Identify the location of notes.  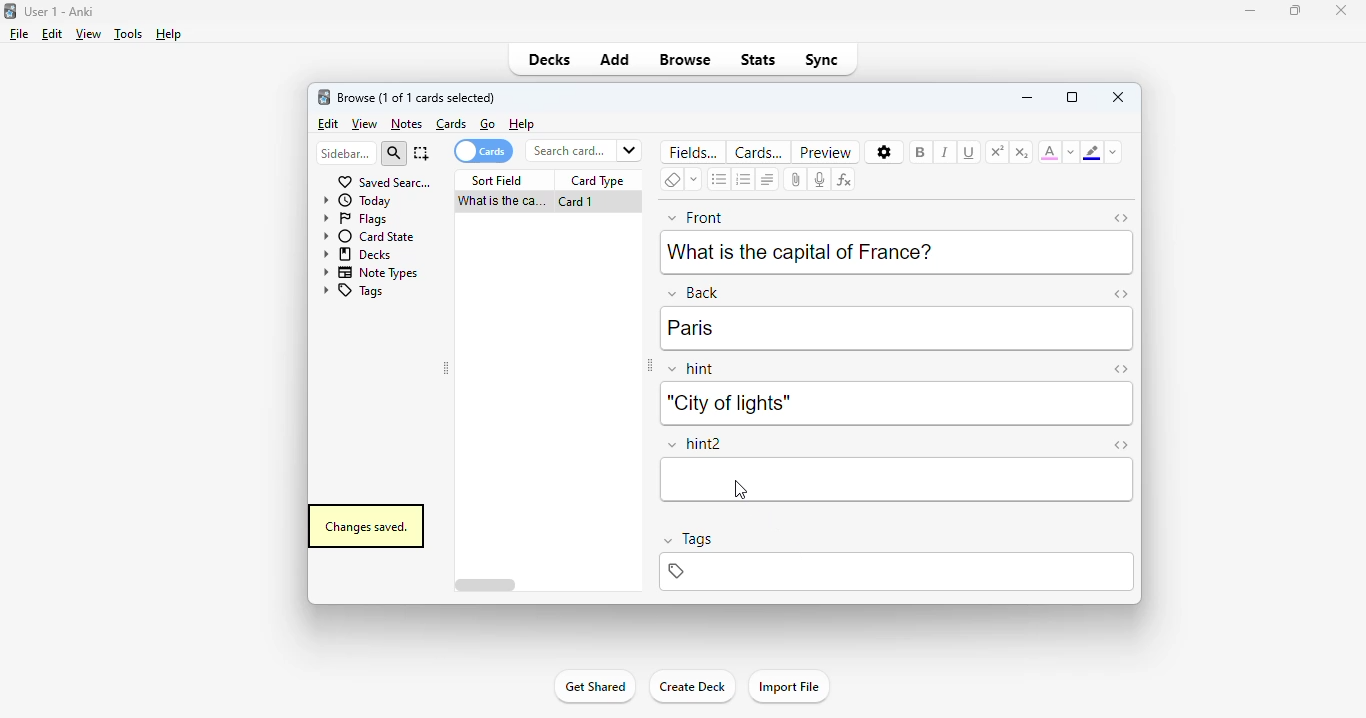
(406, 124).